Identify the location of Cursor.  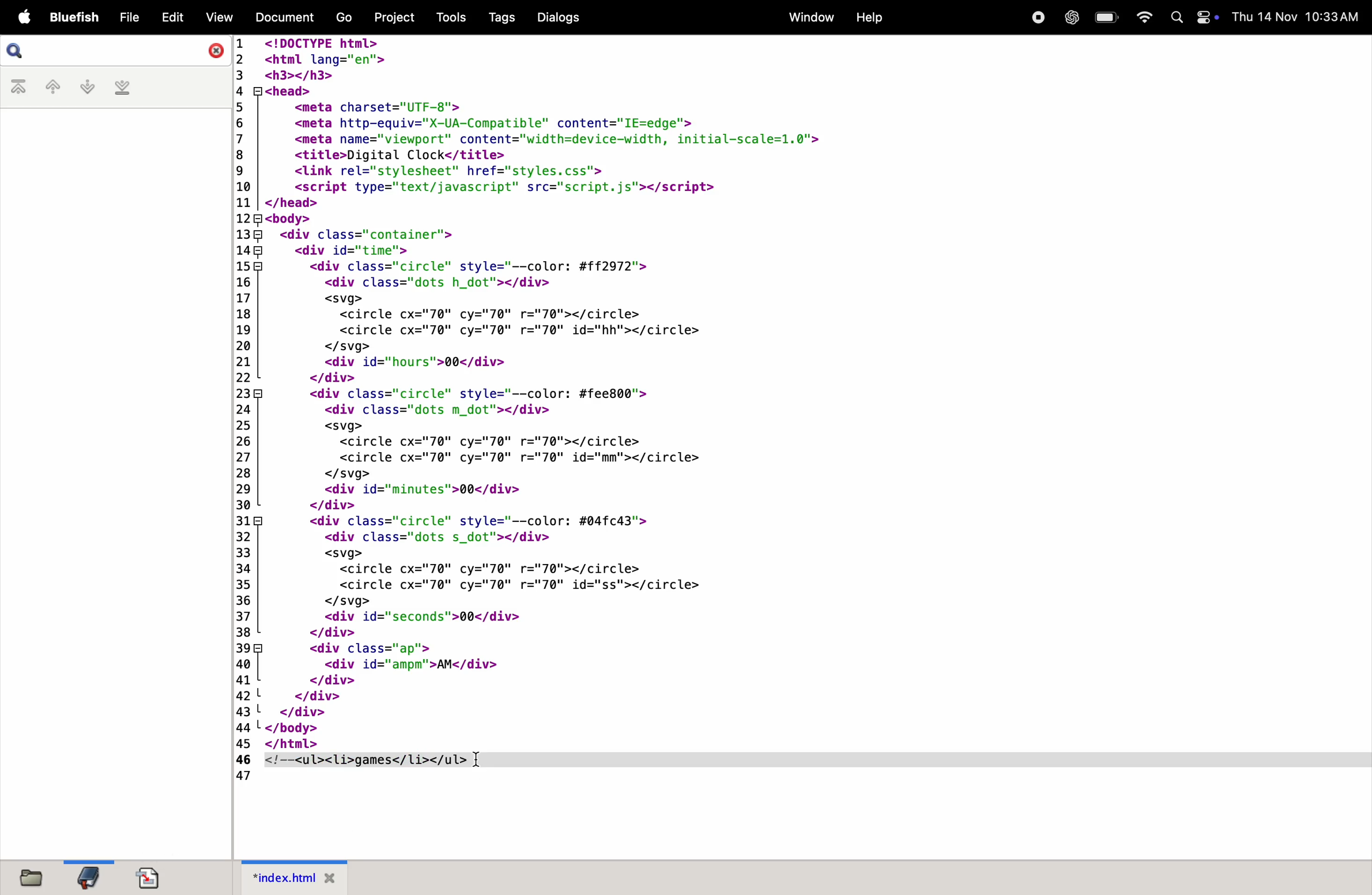
(476, 761).